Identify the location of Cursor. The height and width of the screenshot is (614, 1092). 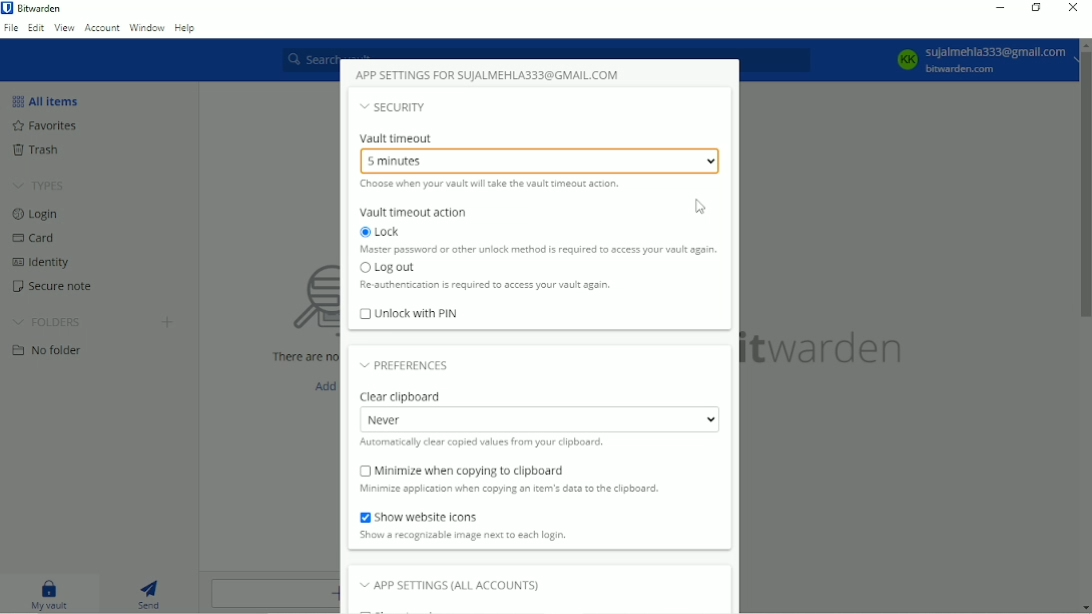
(699, 209).